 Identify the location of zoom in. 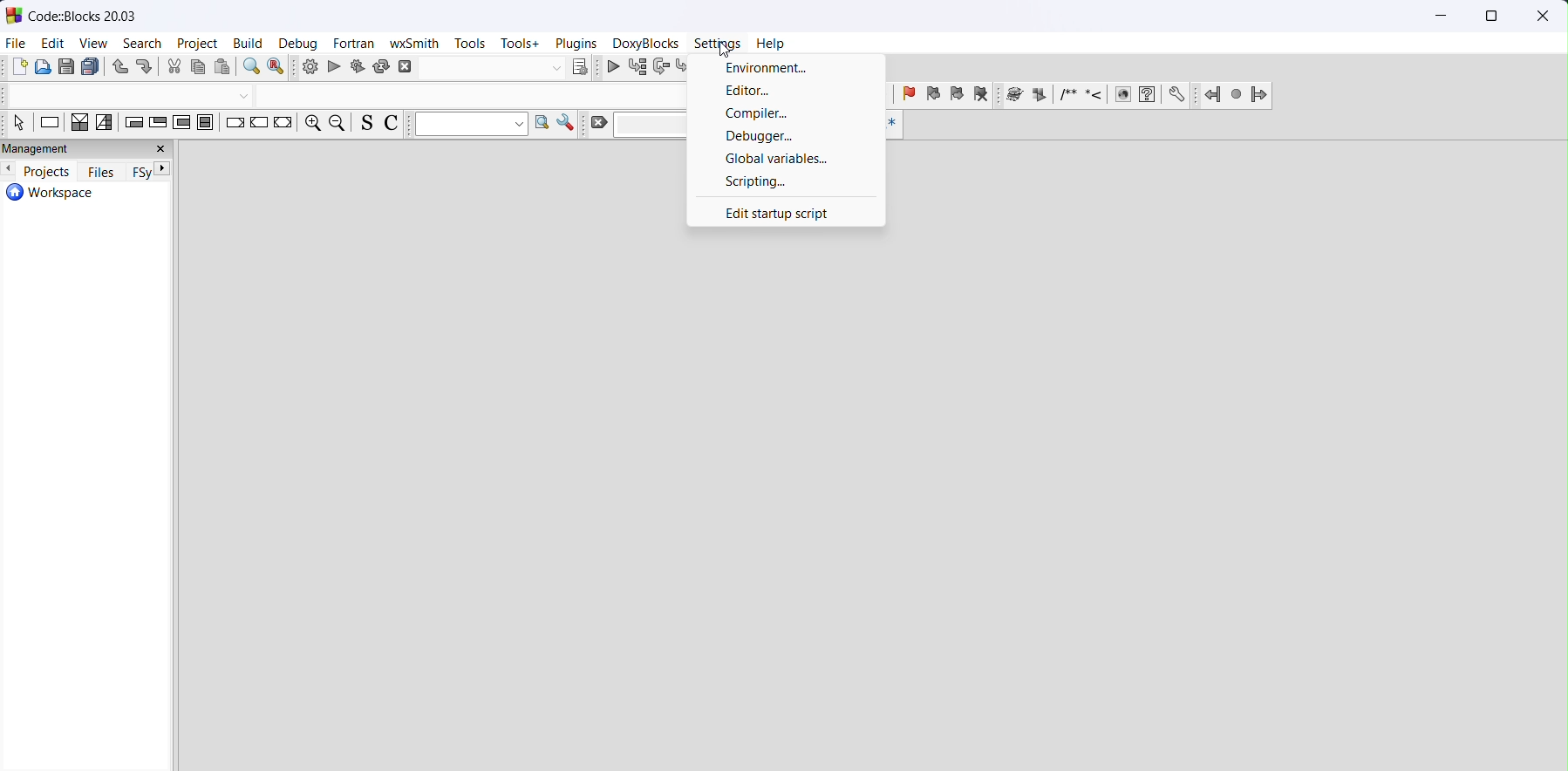
(312, 124).